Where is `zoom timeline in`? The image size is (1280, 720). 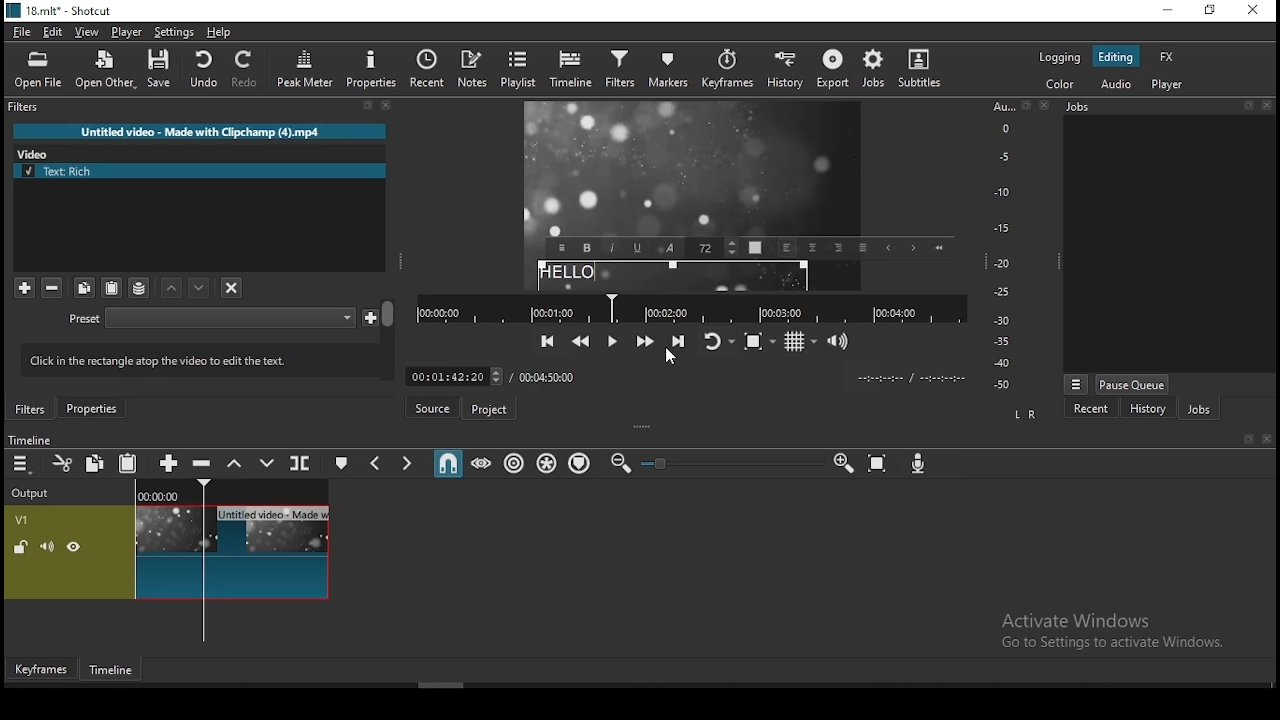 zoom timeline in is located at coordinates (842, 462).